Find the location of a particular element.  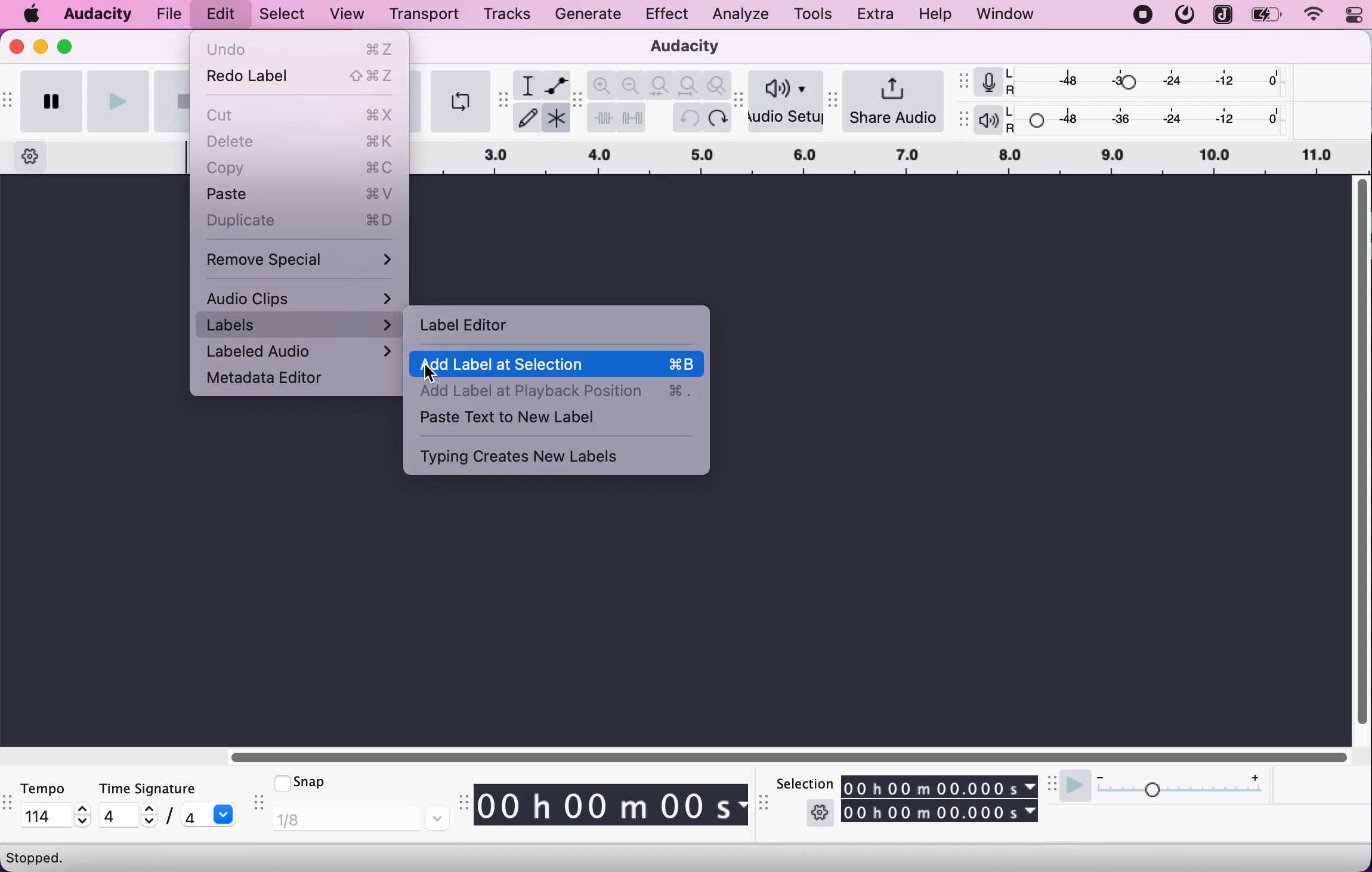

typing creates new labels is located at coordinates (545, 456).